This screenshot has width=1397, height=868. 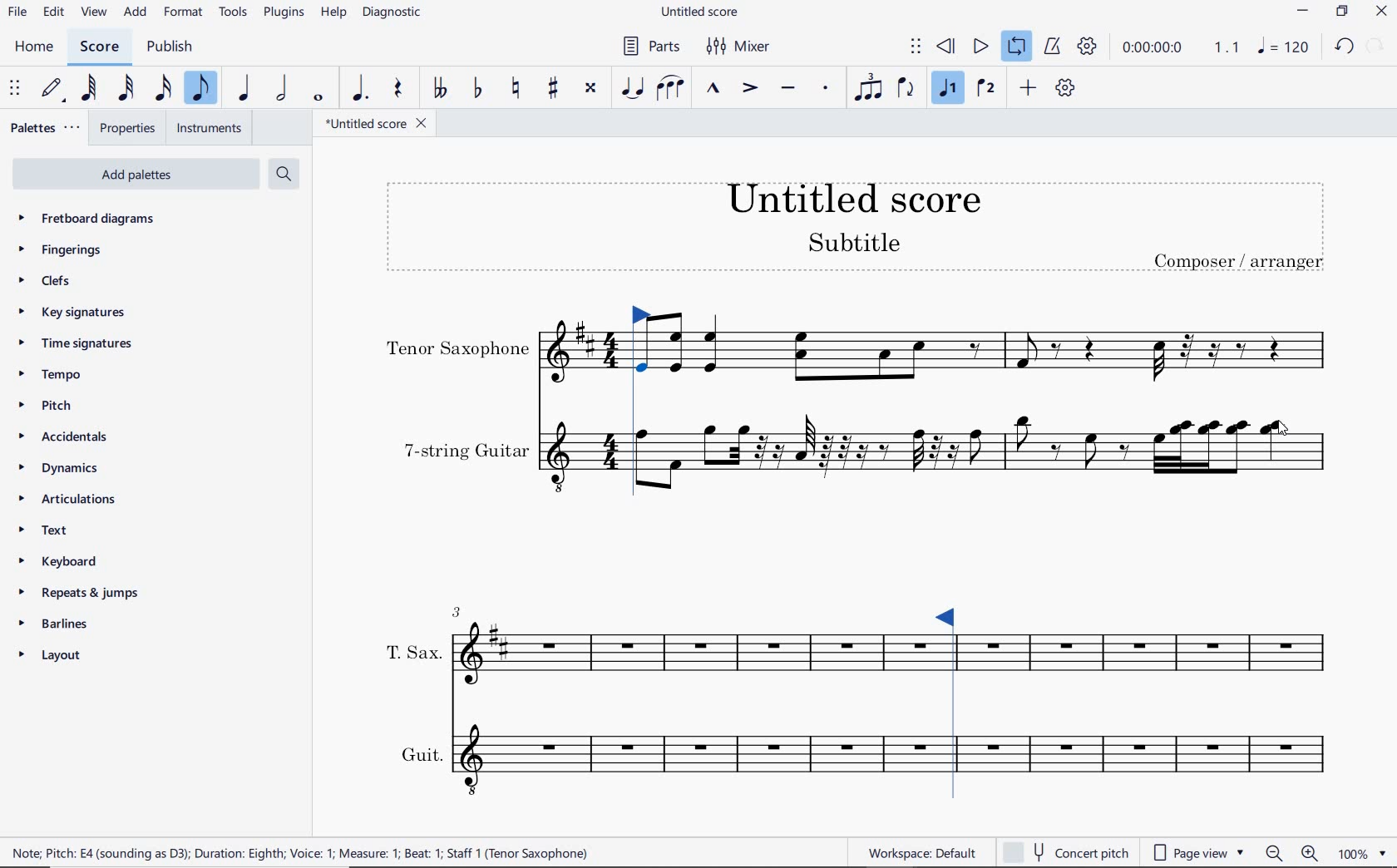 I want to click on TITLE, so click(x=852, y=223).